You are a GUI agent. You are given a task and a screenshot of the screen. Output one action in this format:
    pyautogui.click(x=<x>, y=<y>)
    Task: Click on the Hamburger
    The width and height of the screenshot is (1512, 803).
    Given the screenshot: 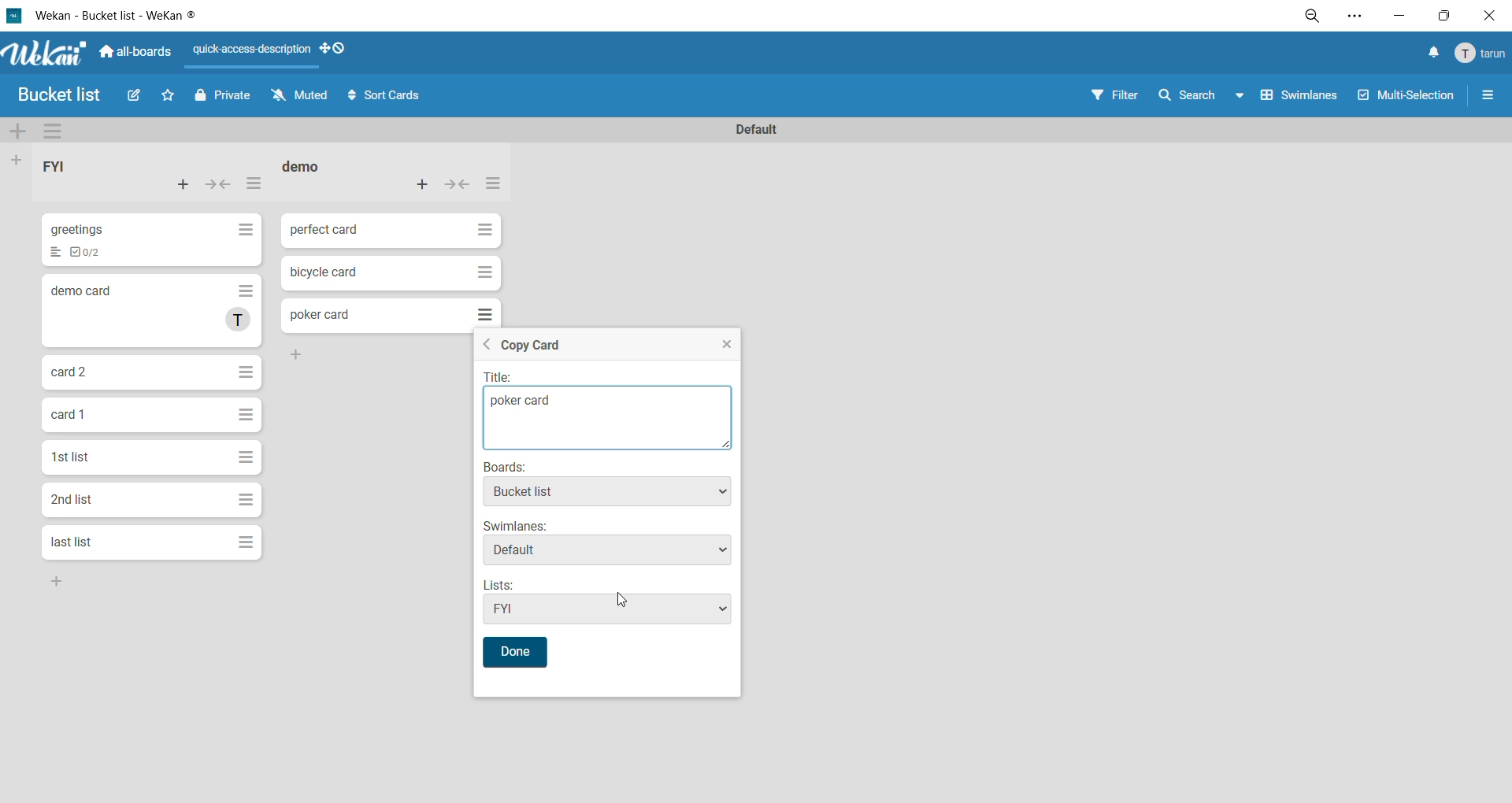 What is the action you would take?
    pyautogui.click(x=243, y=372)
    